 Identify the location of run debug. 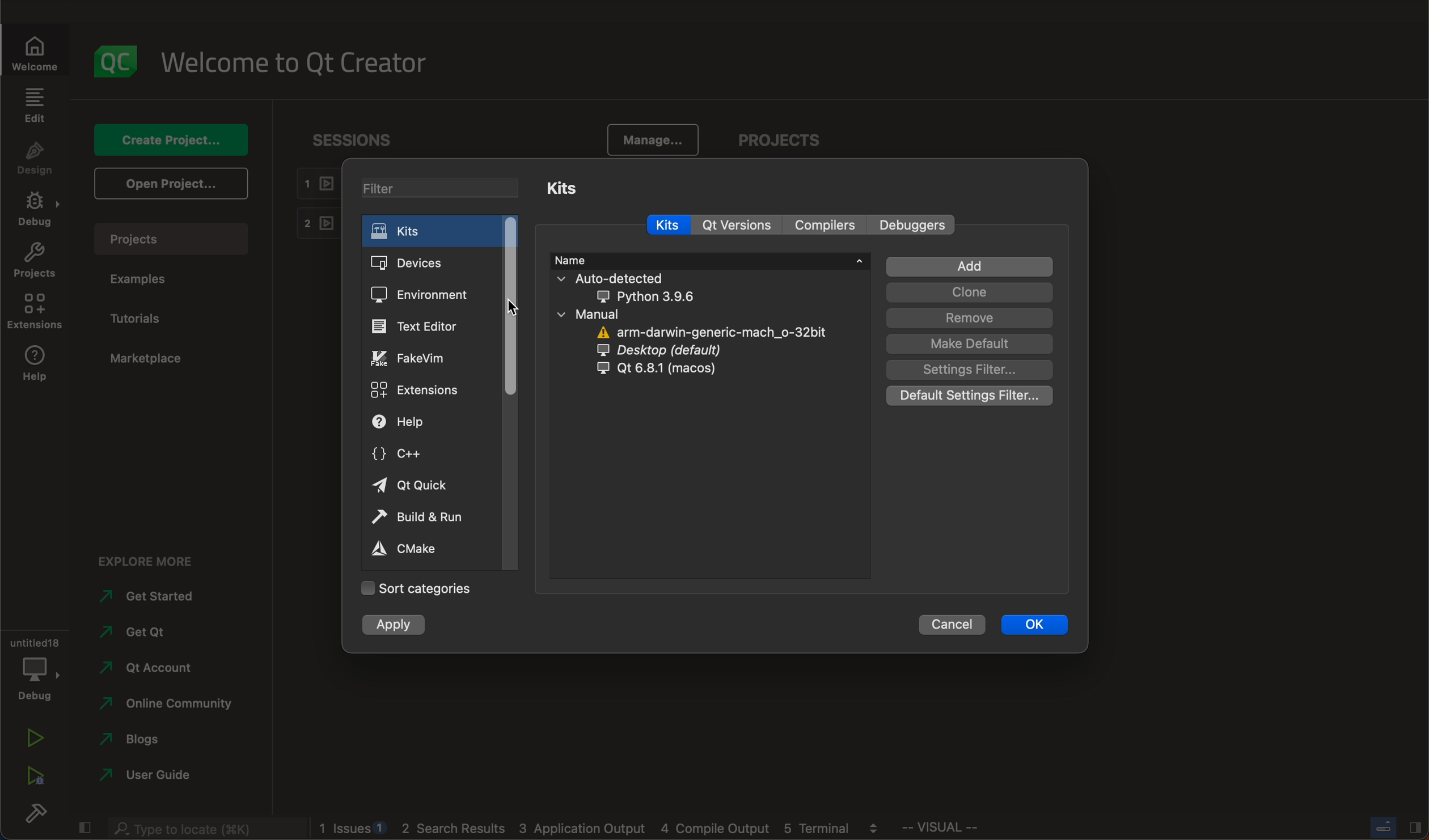
(33, 780).